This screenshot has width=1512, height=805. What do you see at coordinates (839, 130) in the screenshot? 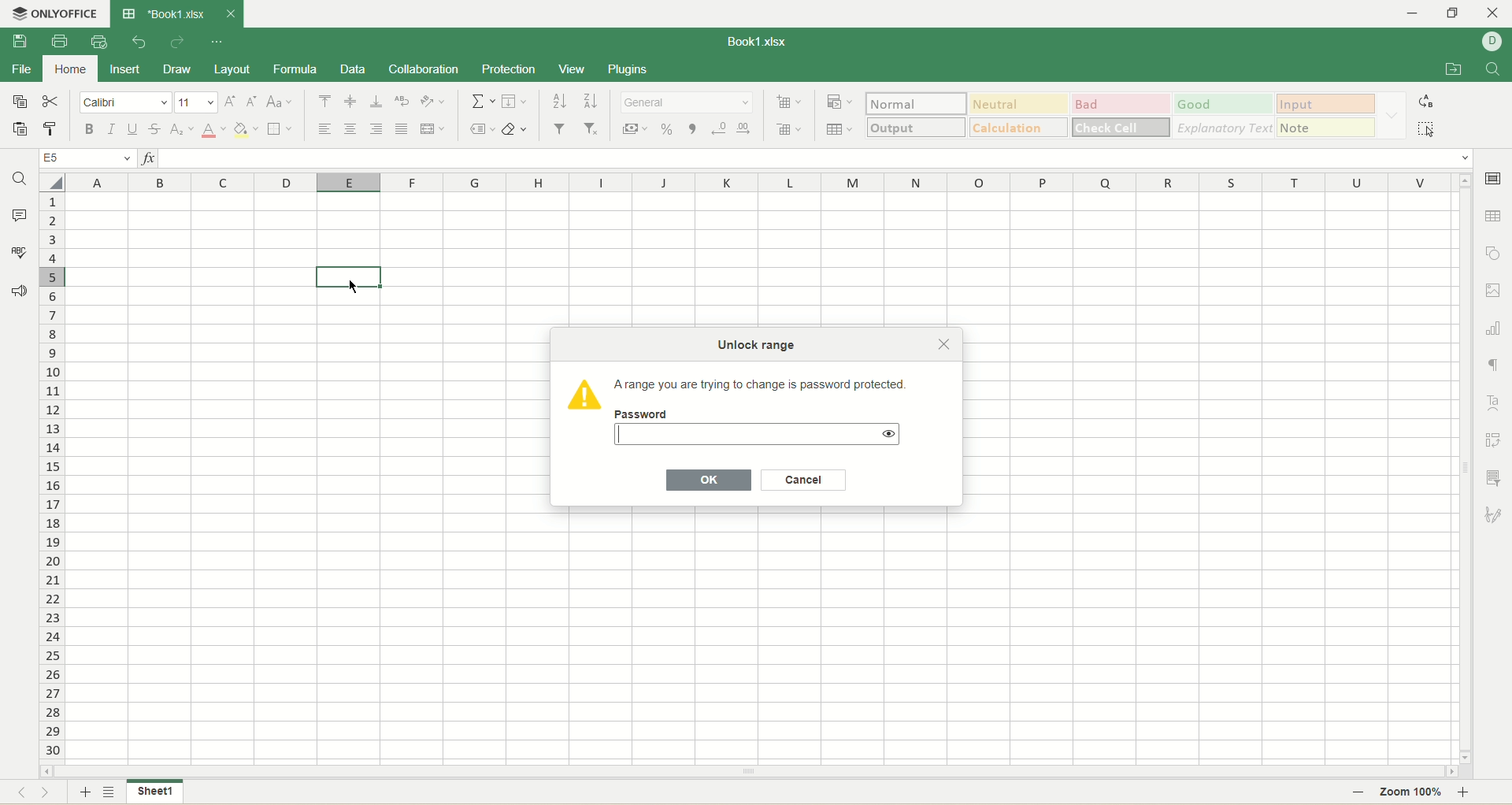
I see `table` at bounding box center [839, 130].